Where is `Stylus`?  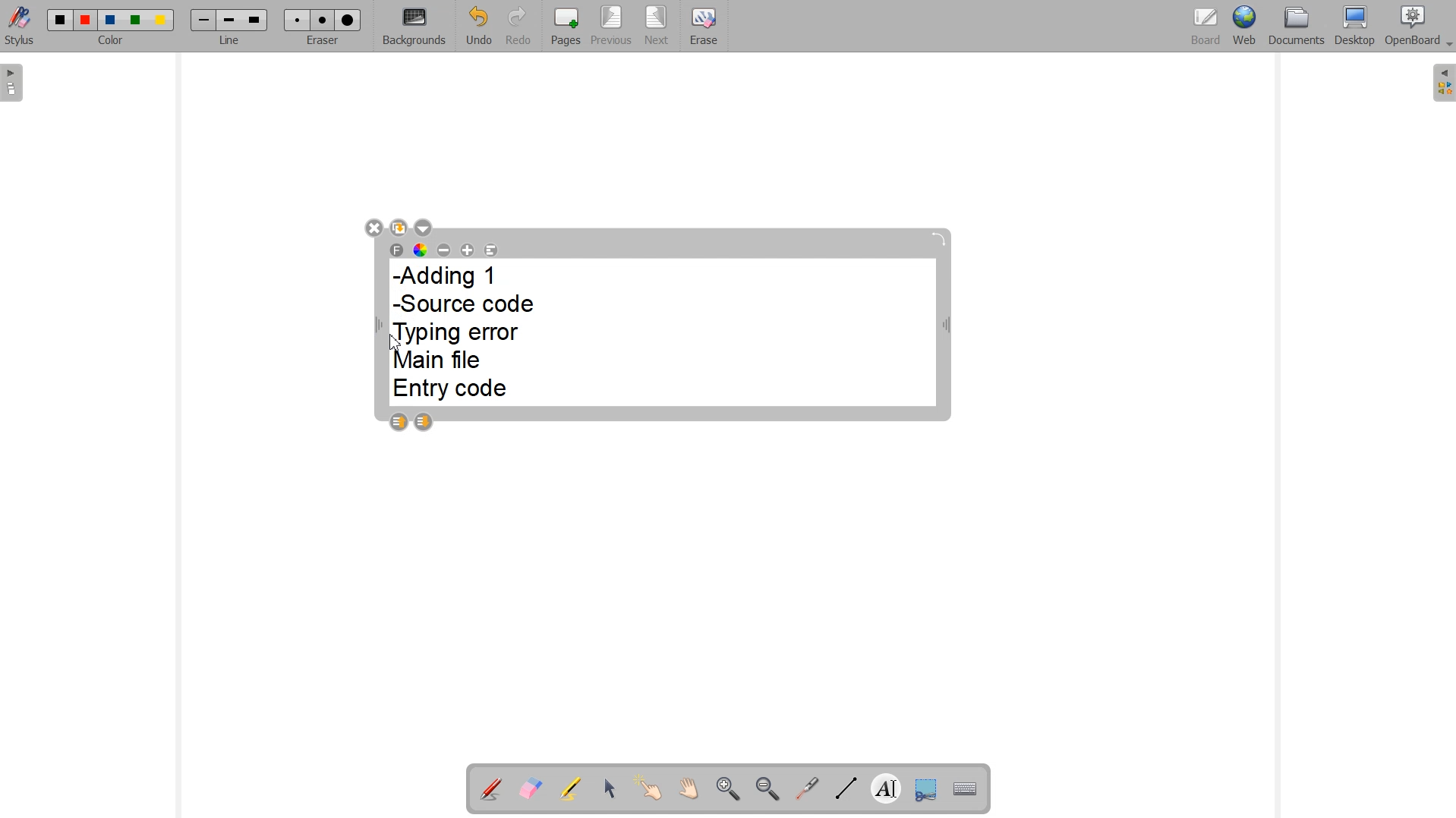 Stylus is located at coordinates (20, 29).